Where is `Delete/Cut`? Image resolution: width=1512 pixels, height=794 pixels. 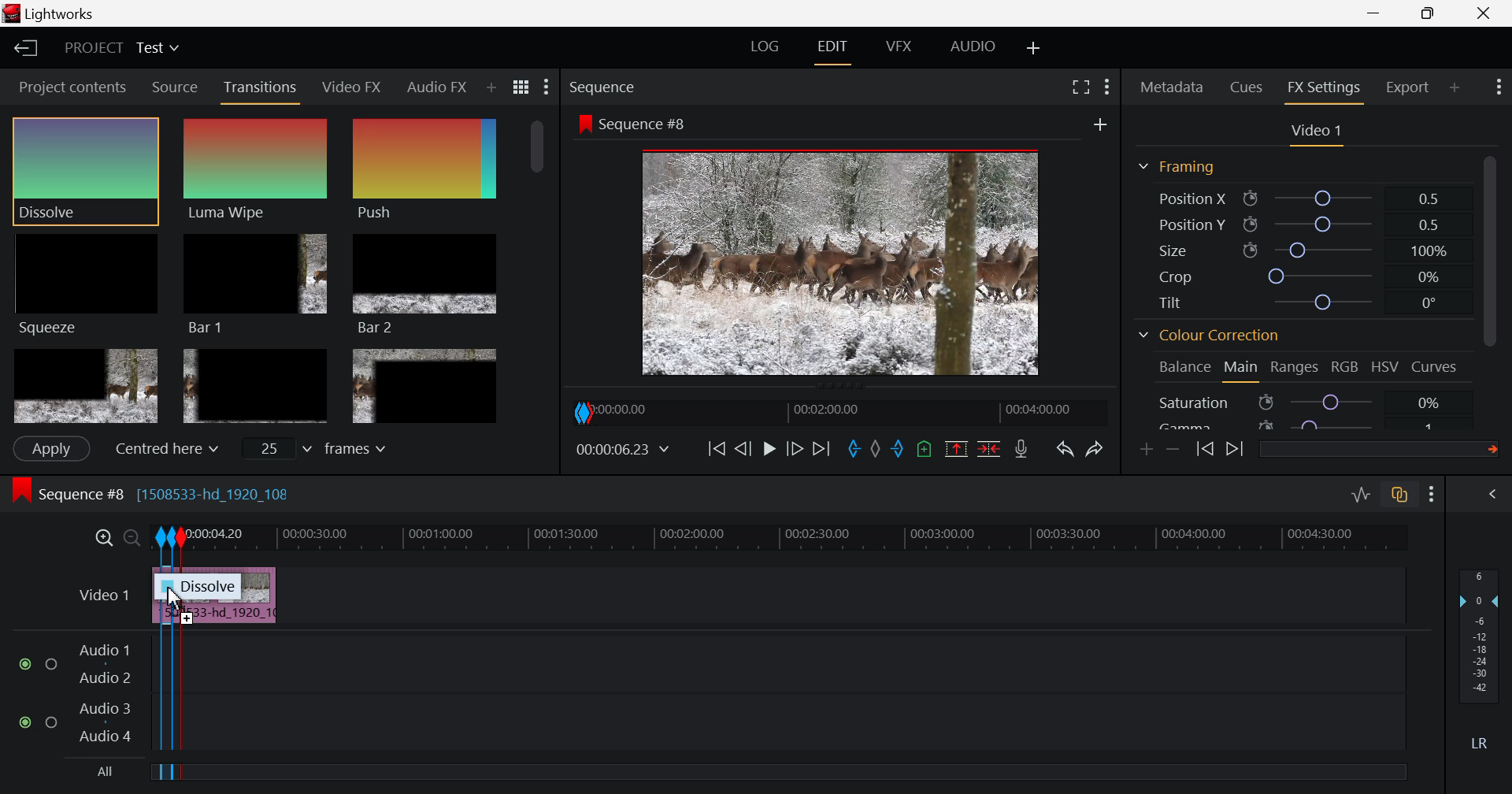
Delete/Cut is located at coordinates (989, 447).